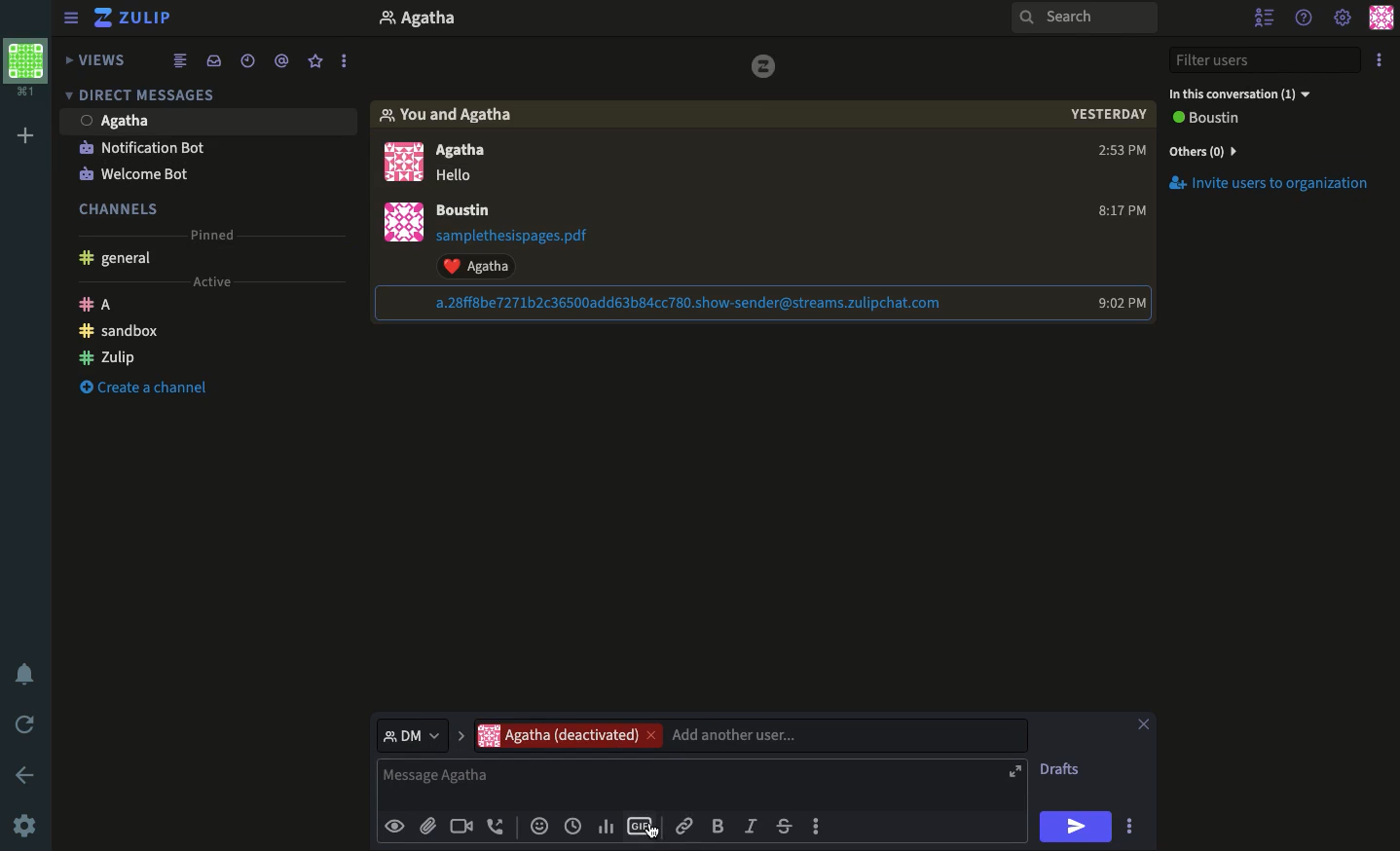  What do you see at coordinates (453, 115) in the screenshot?
I see `You and user` at bounding box center [453, 115].